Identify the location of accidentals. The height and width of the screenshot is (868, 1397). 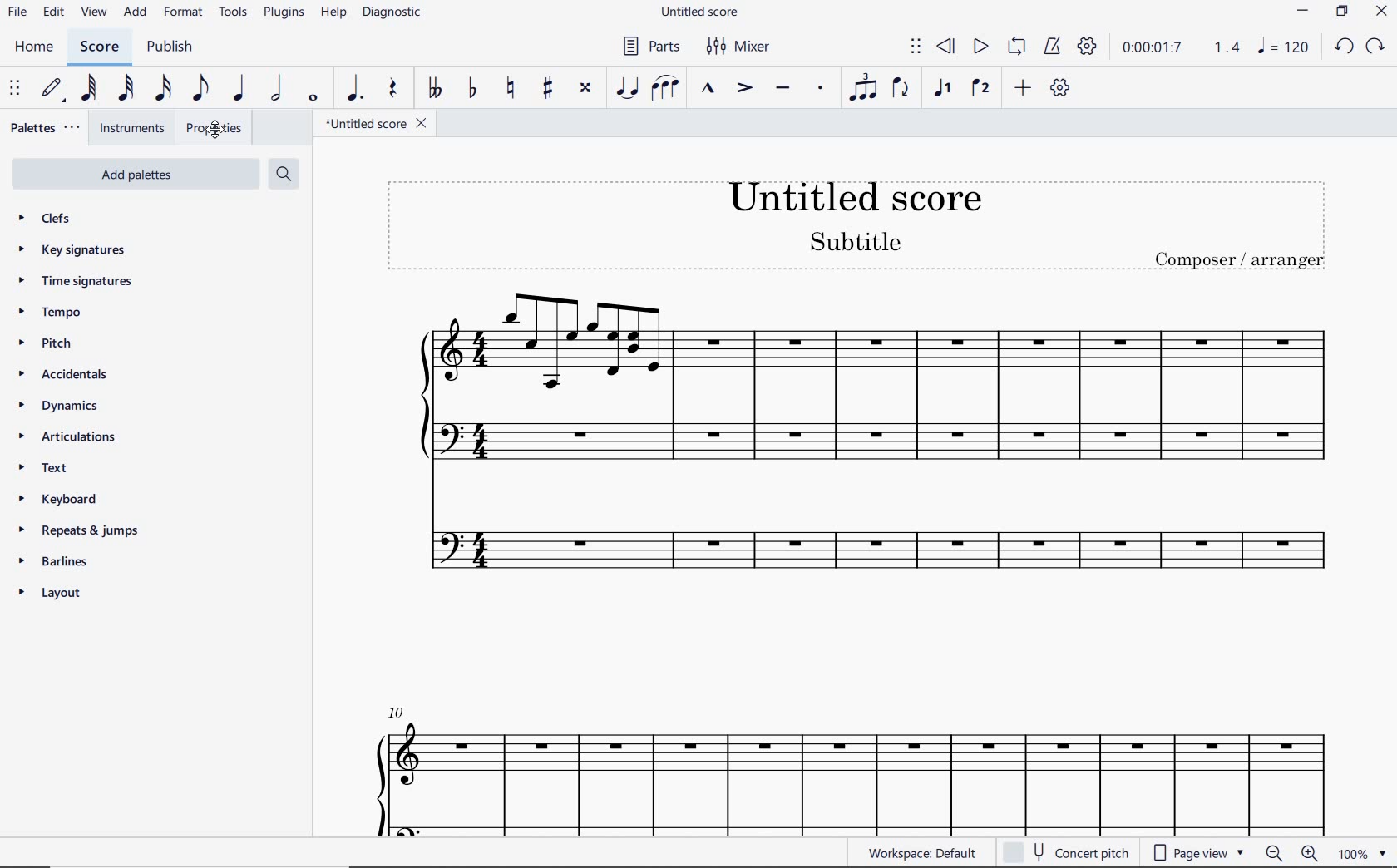
(64, 374).